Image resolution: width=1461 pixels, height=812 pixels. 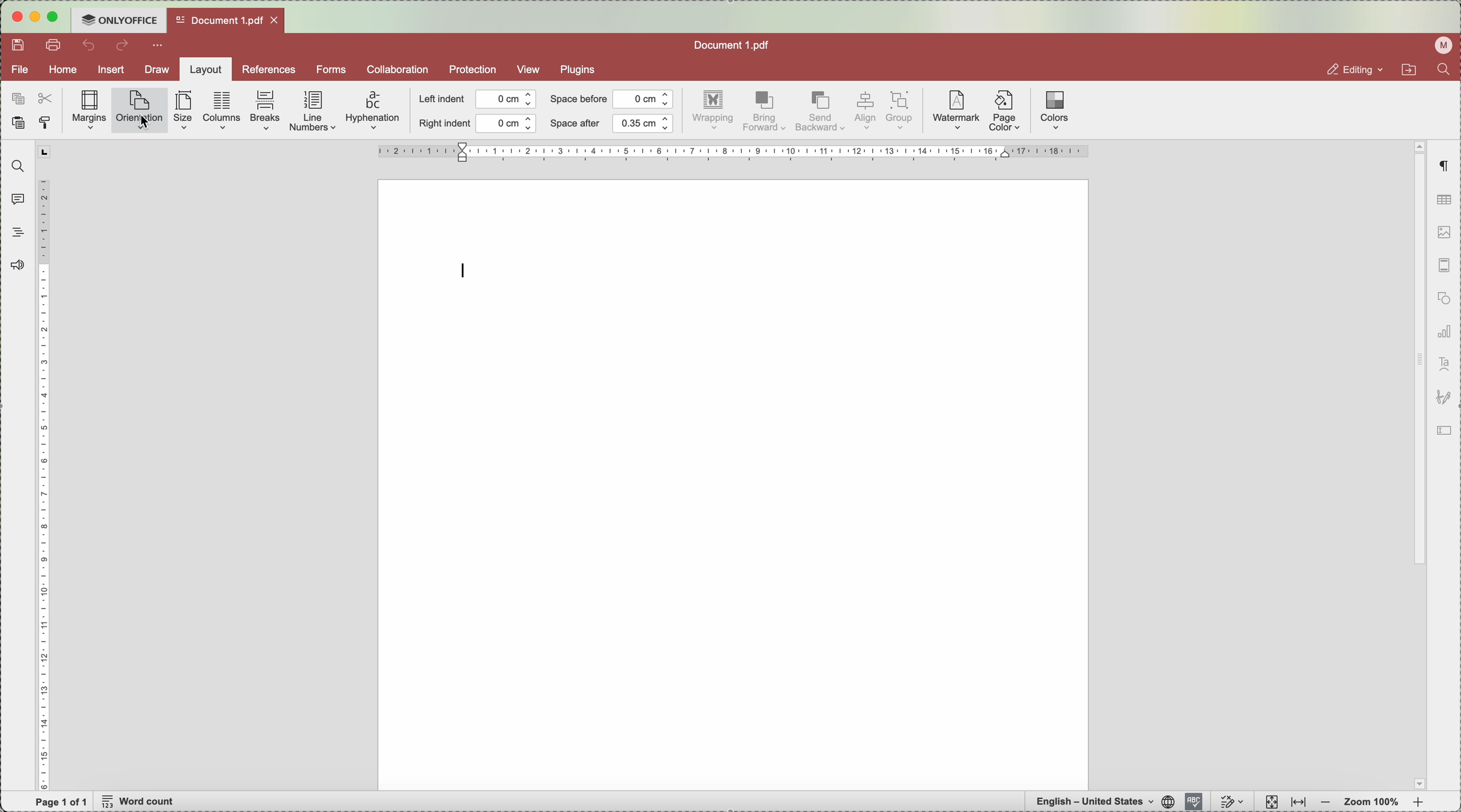 I want to click on send backward, so click(x=820, y=113).